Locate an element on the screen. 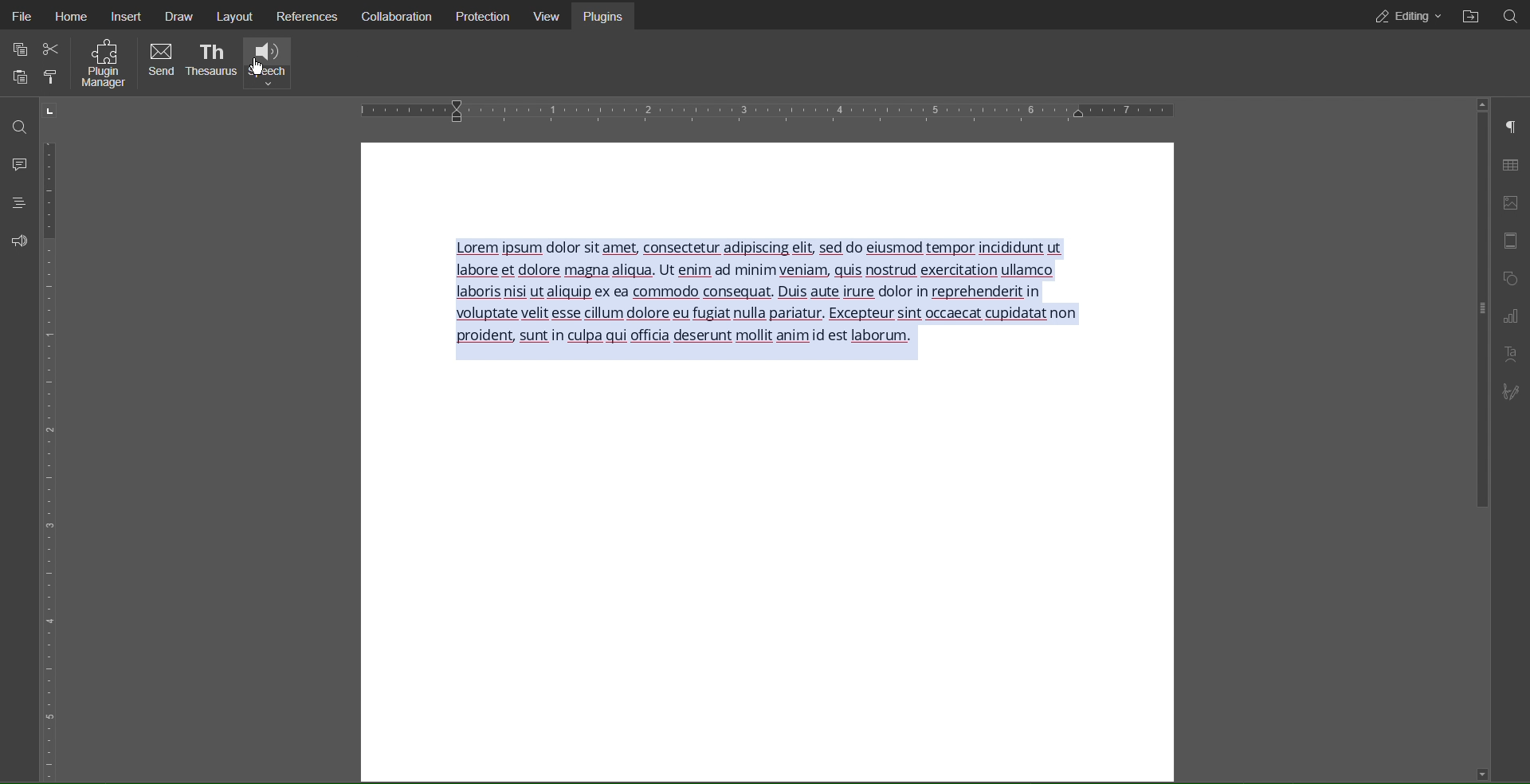  Graph Settings is located at coordinates (1509, 316).